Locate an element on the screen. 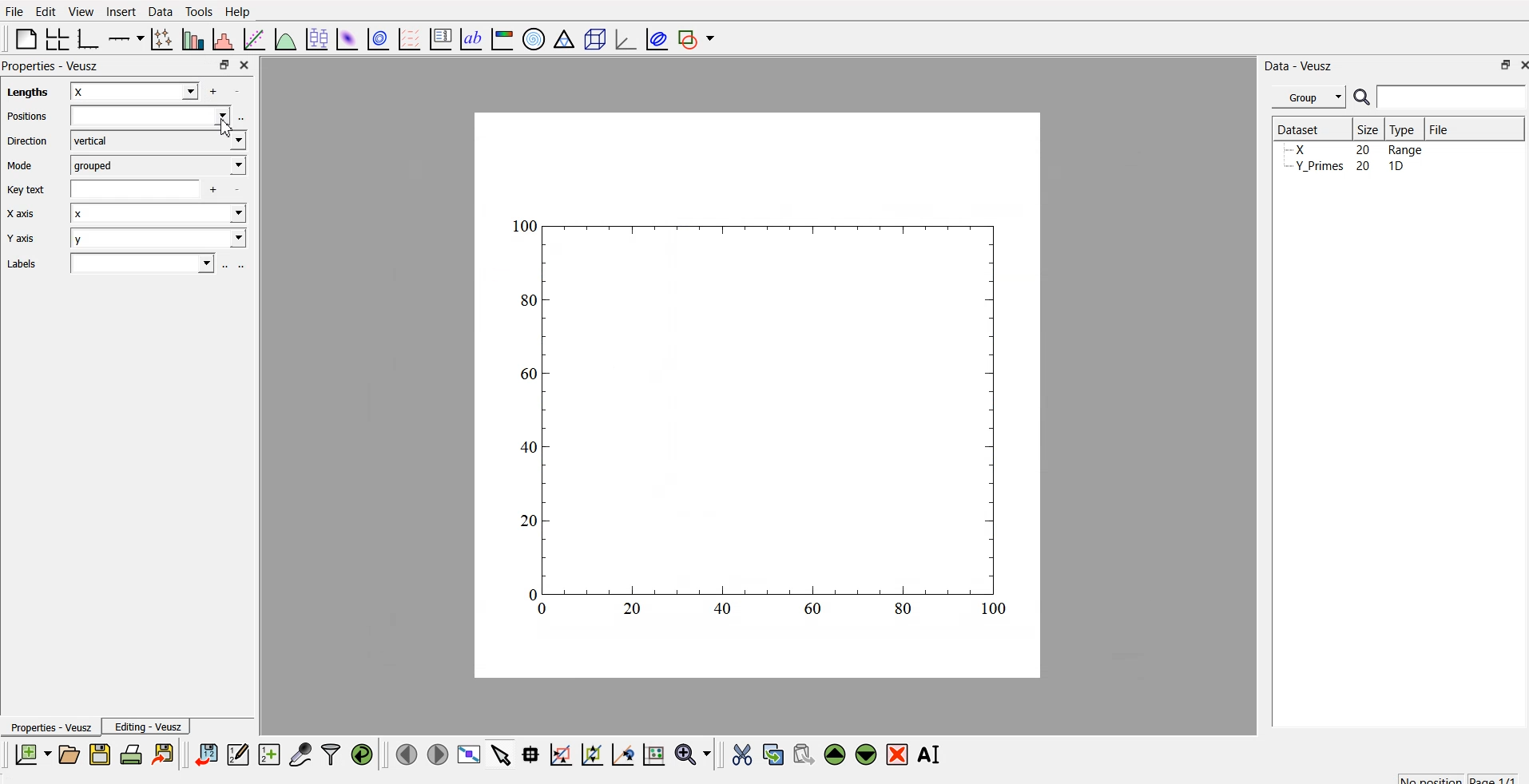  open a document is located at coordinates (68, 754).